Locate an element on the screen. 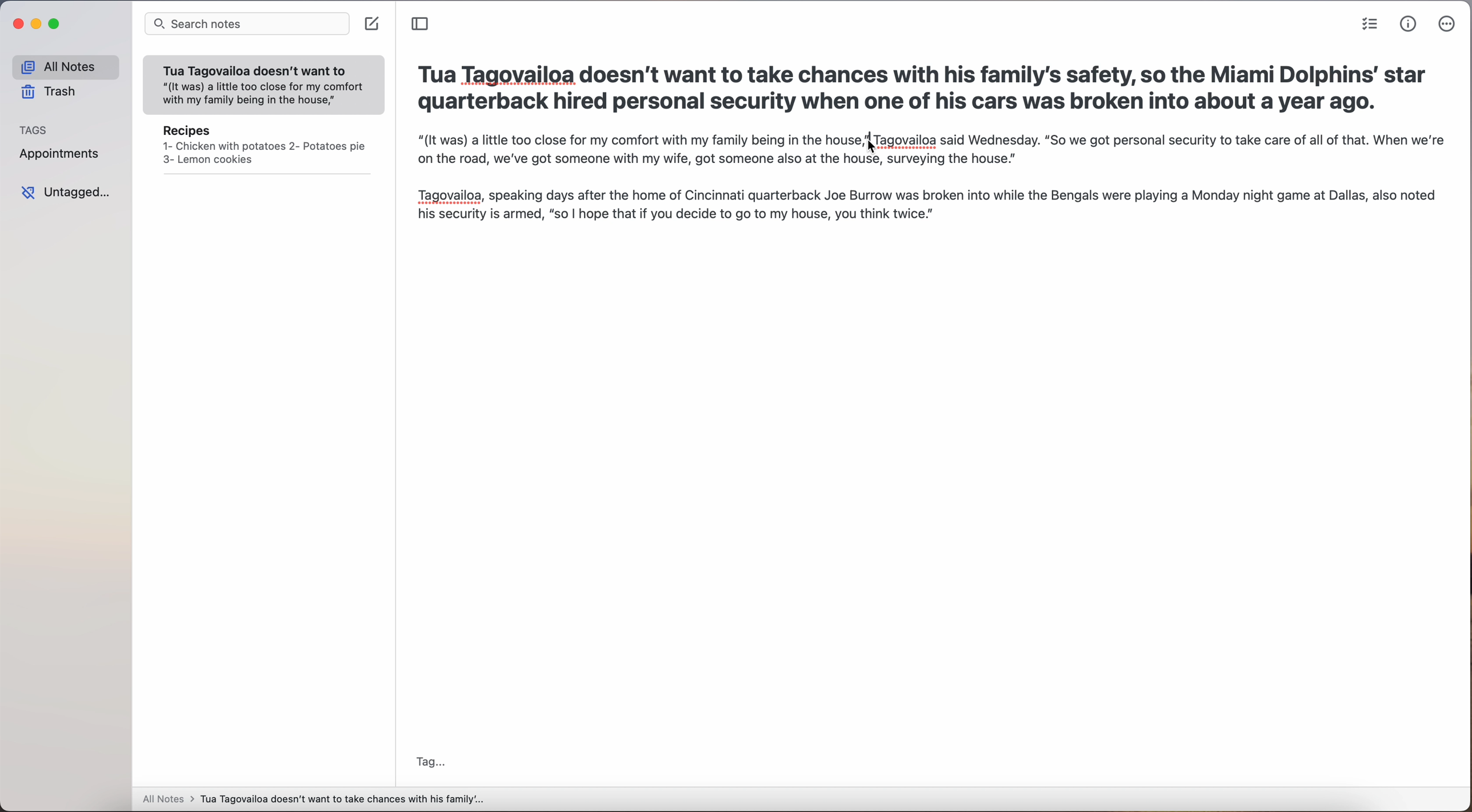 This screenshot has height=812, width=1472. maximize Simplenote is located at coordinates (54, 23).